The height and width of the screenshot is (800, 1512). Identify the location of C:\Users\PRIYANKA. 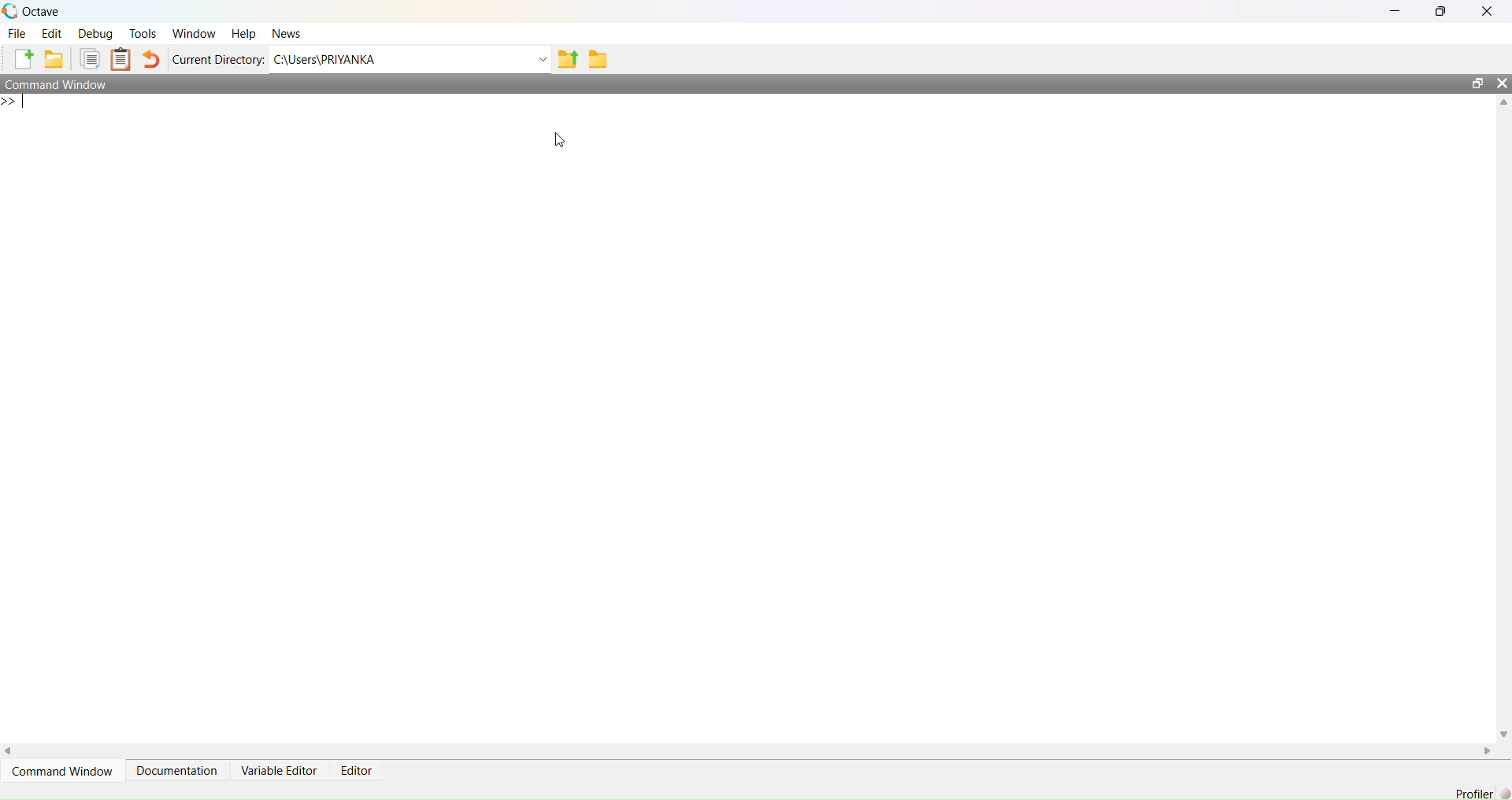
(401, 59).